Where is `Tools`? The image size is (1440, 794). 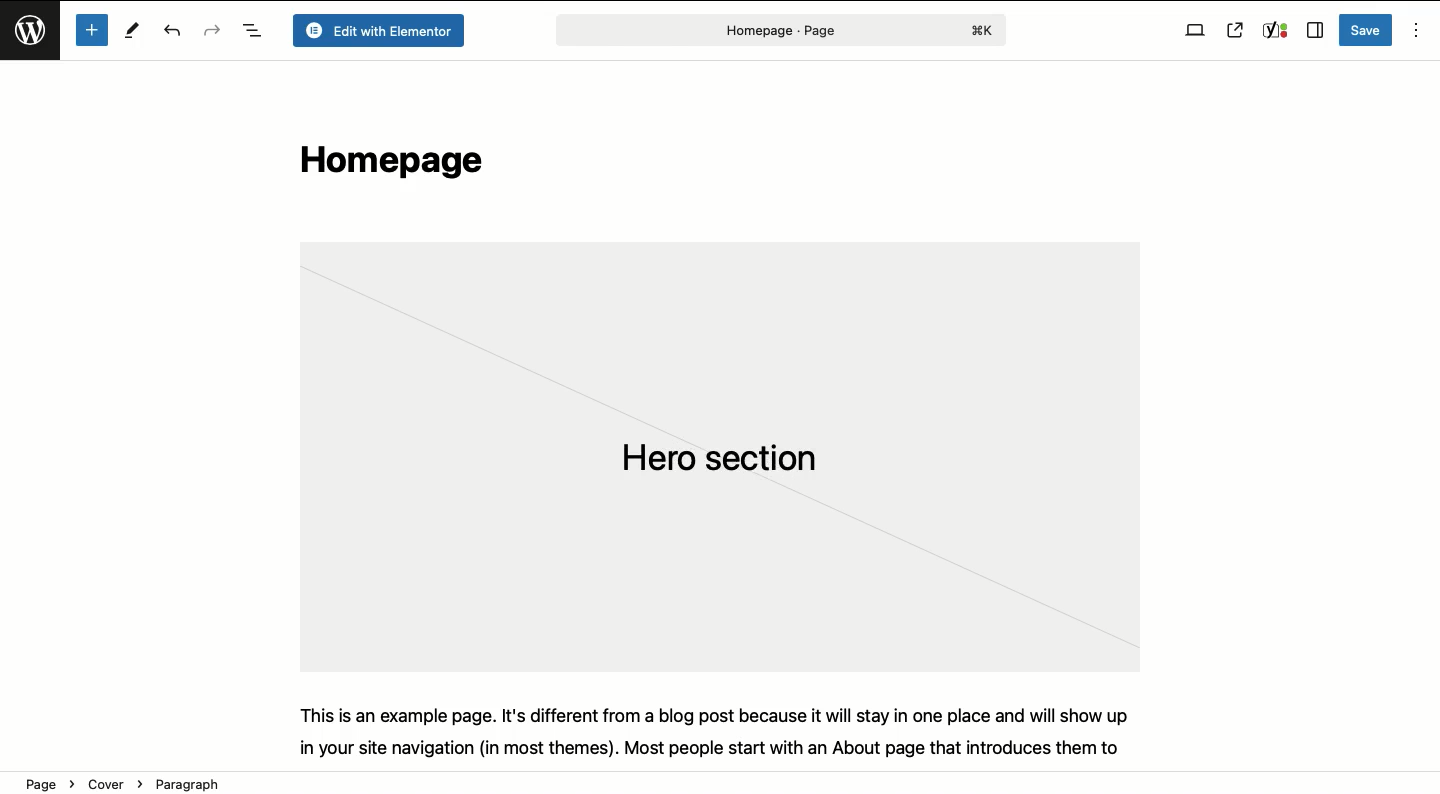 Tools is located at coordinates (134, 33).